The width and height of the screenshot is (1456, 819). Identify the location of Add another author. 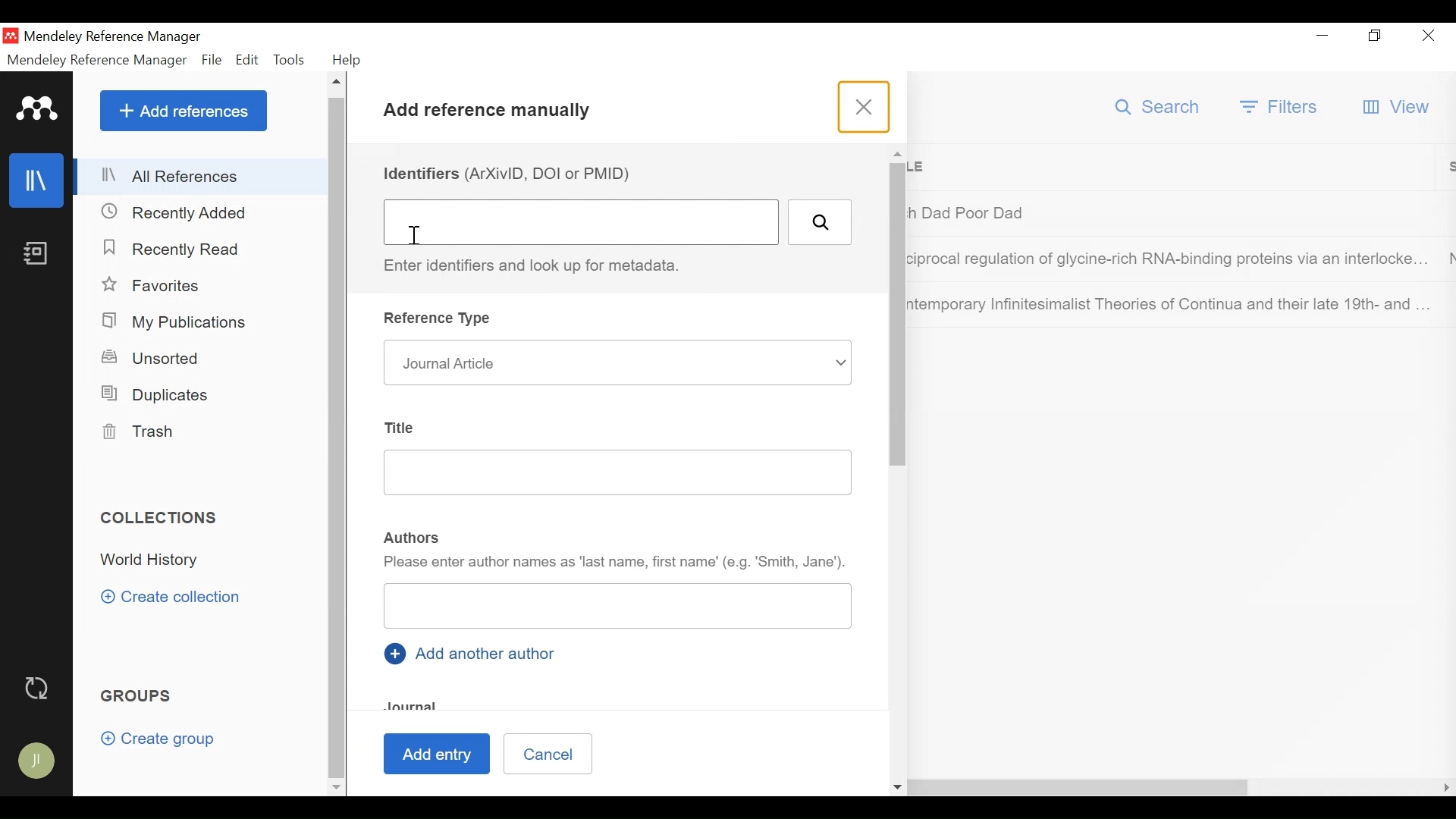
(473, 652).